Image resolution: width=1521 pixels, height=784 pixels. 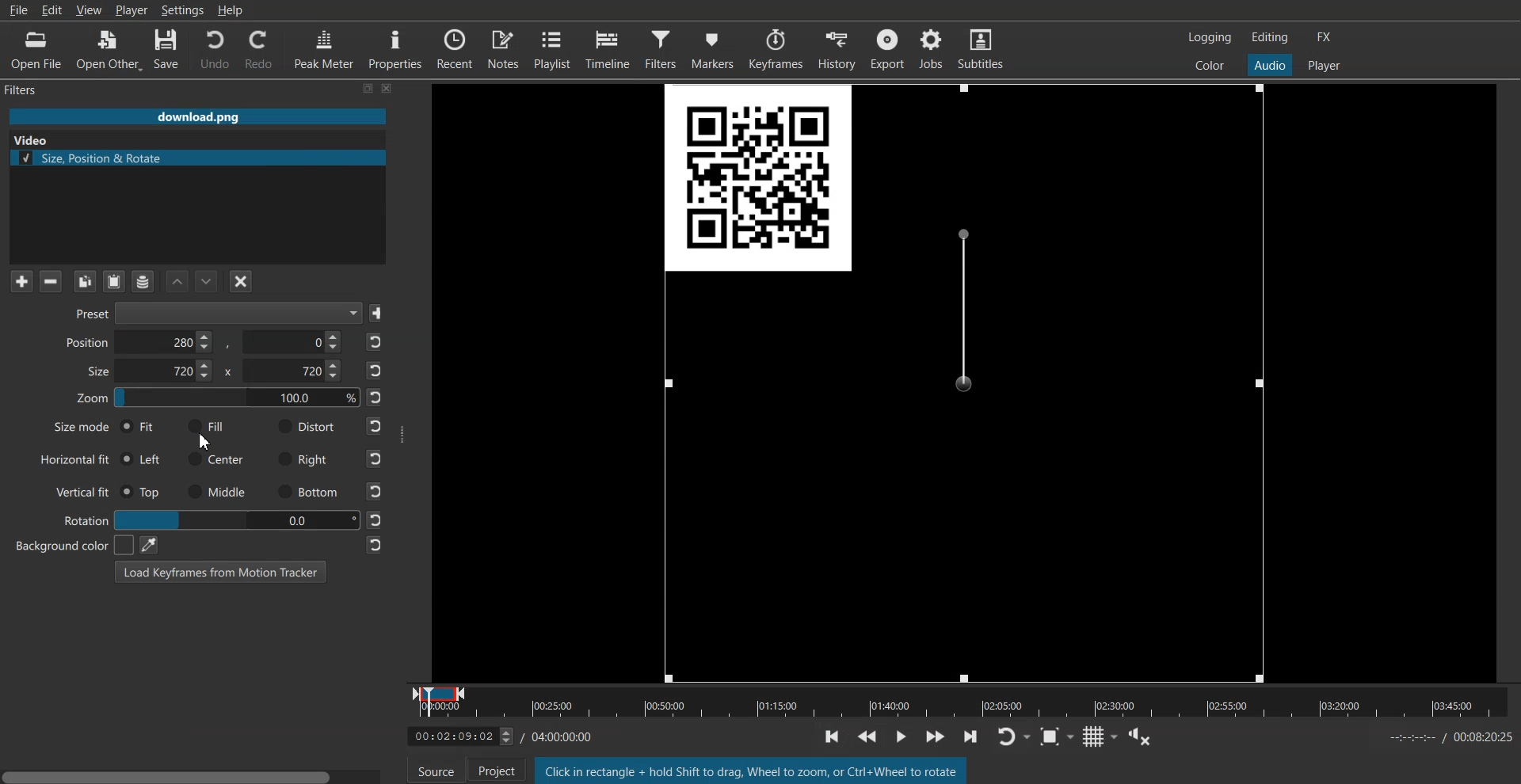 I want to click on Subtitles, so click(x=982, y=47).